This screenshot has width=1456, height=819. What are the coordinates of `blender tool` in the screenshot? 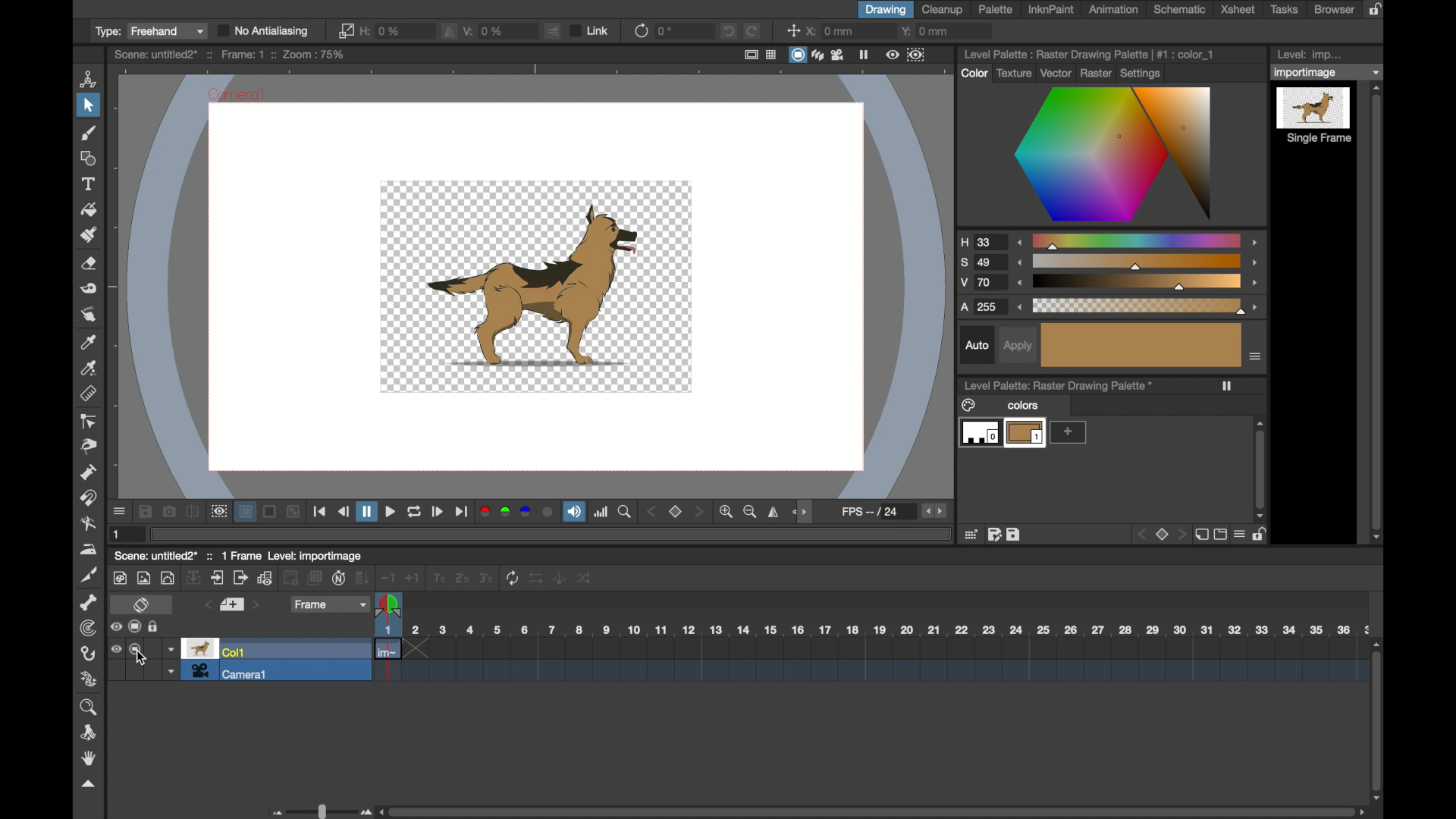 It's located at (88, 525).